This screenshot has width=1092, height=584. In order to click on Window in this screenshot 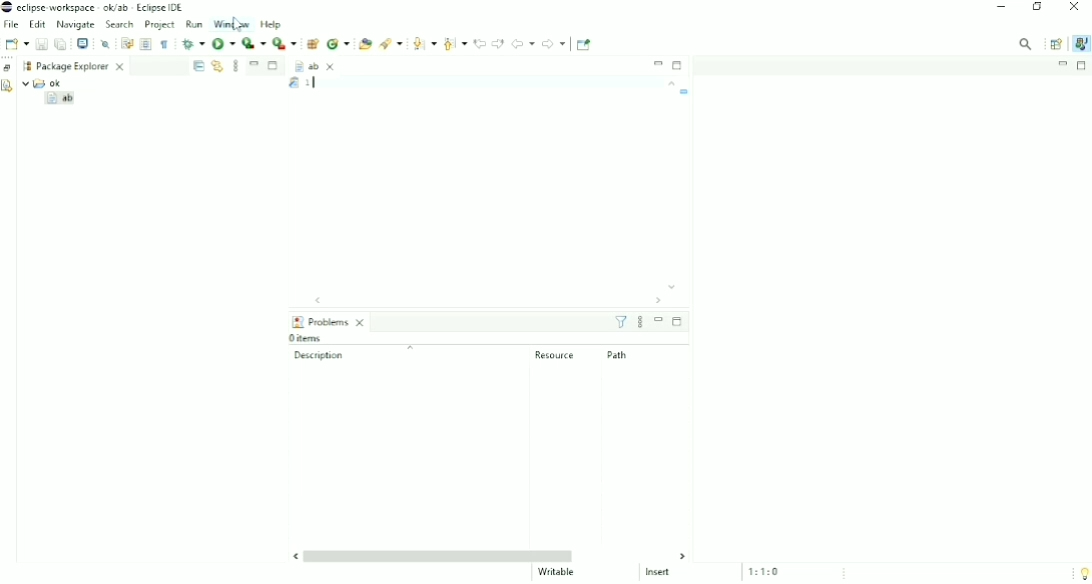, I will do `click(233, 24)`.